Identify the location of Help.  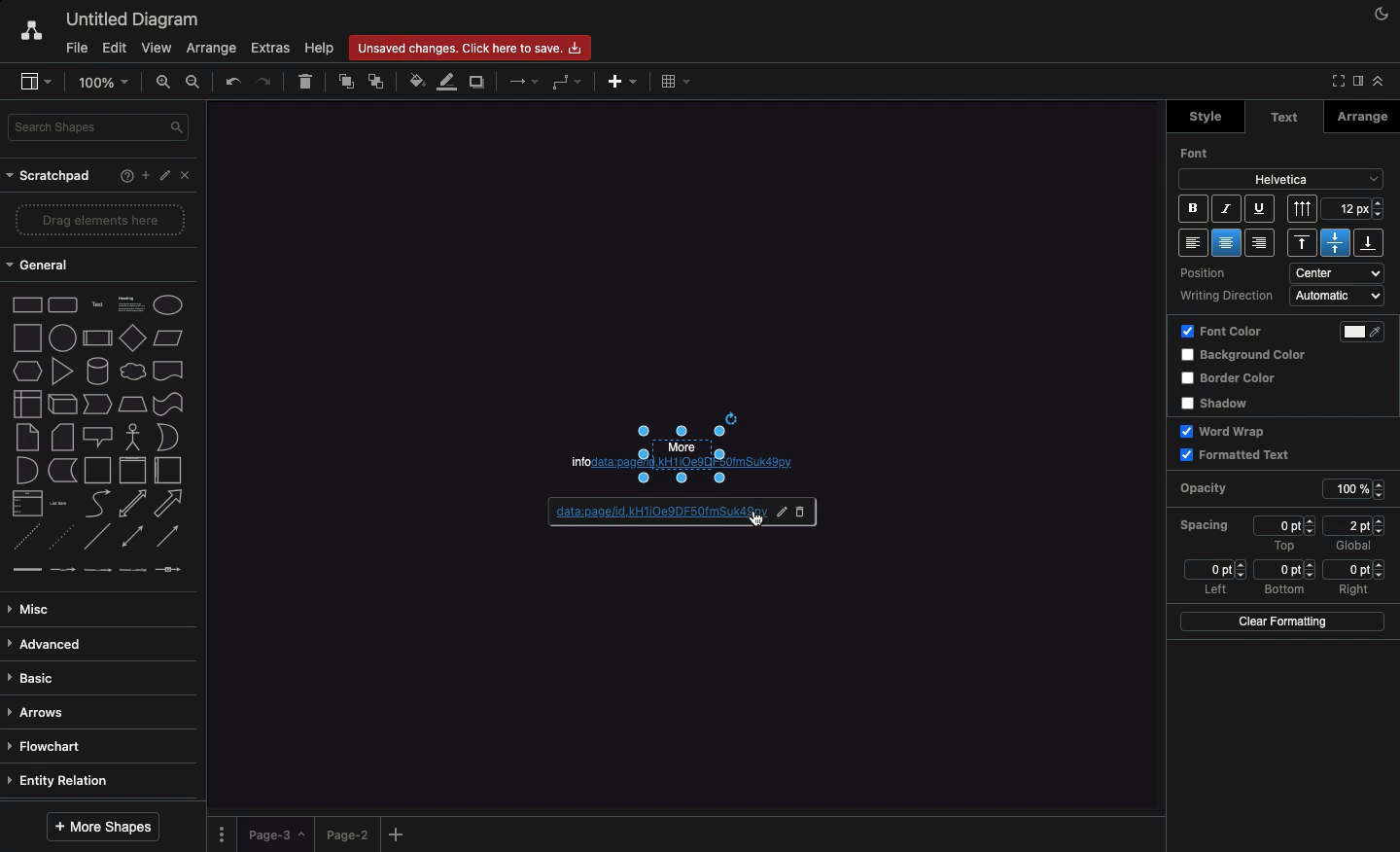
(122, 178).